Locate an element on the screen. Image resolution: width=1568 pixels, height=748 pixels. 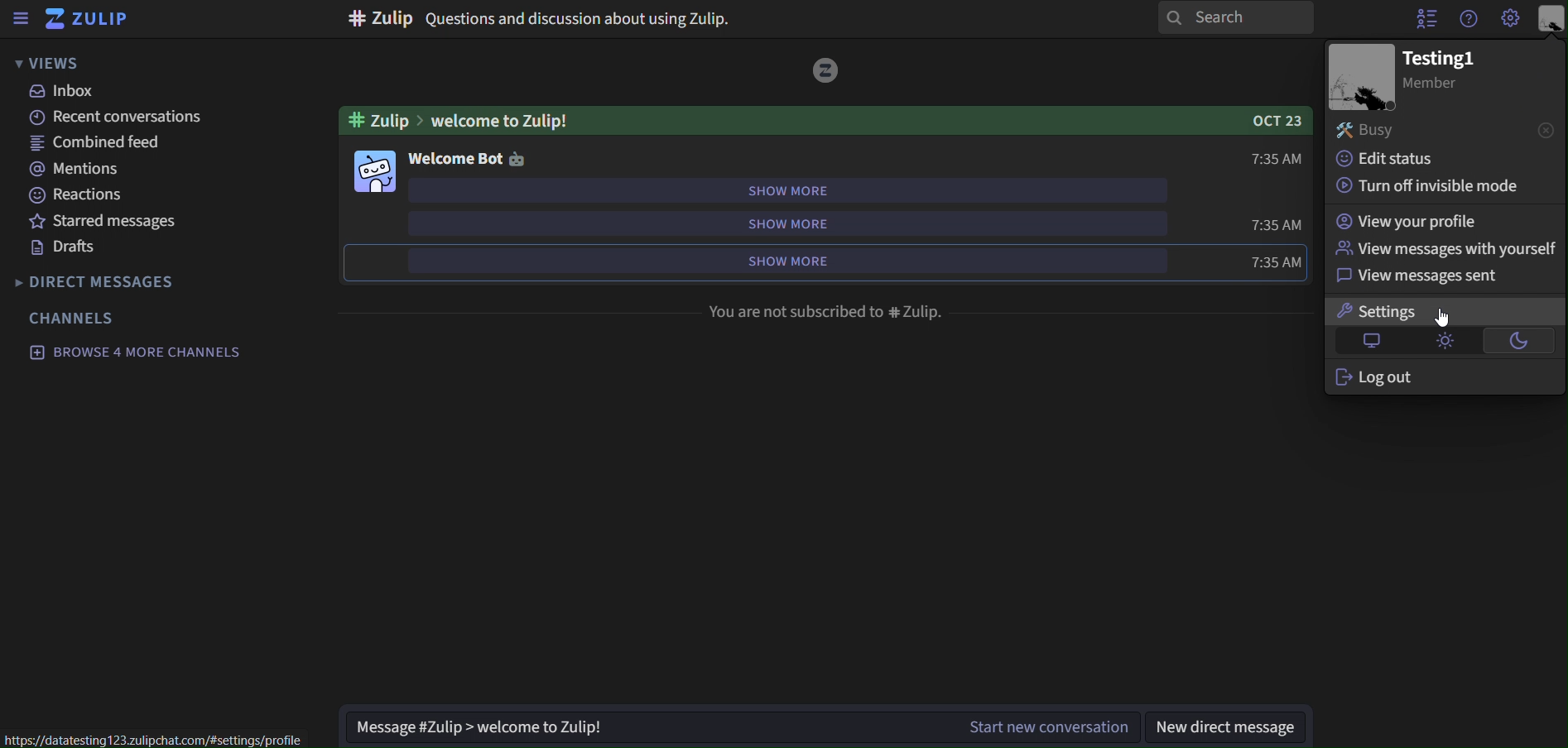
starredmessages is located at coordinates (108, 222).